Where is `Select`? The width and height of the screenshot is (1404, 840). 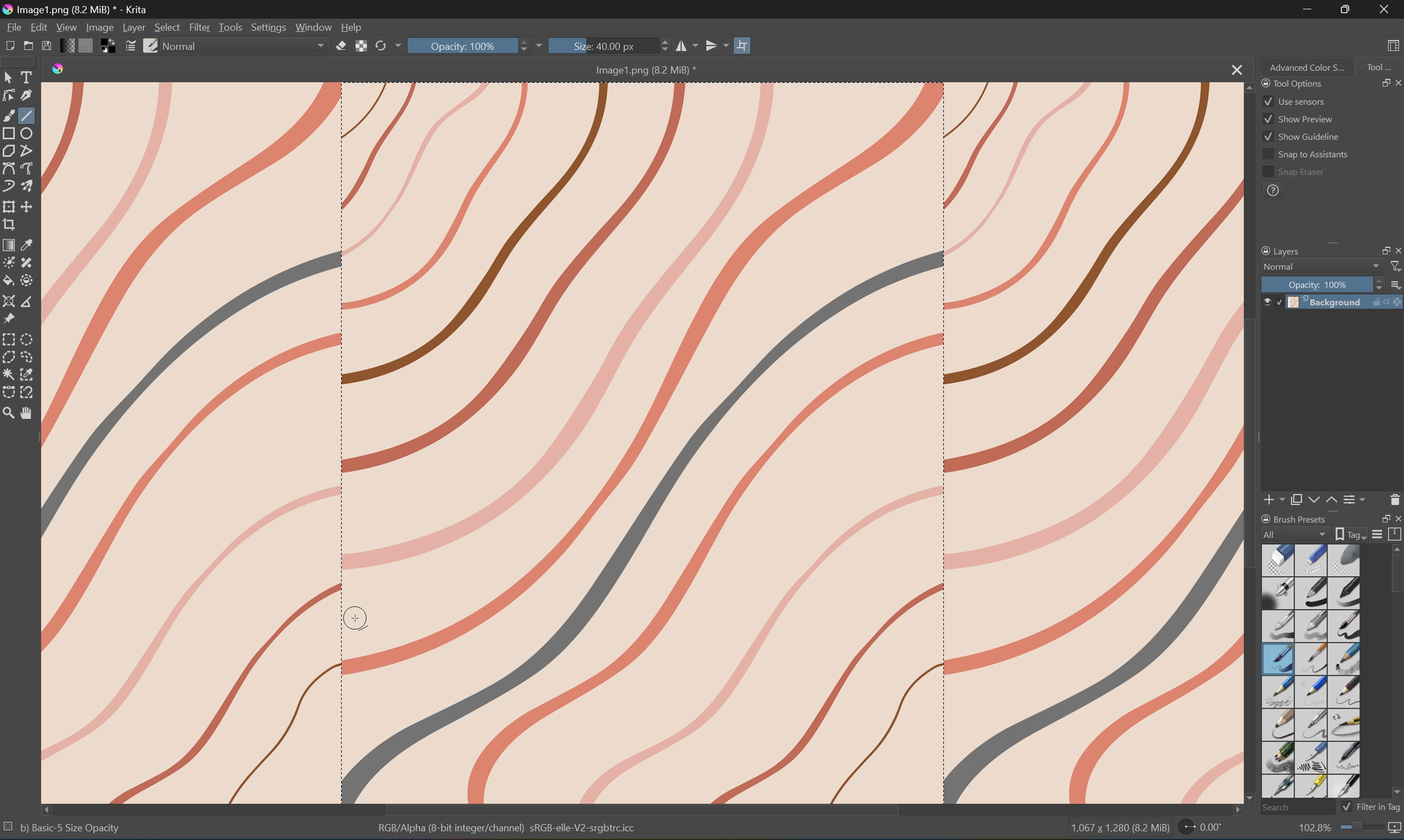
Select is located at coordinates (167, 27).